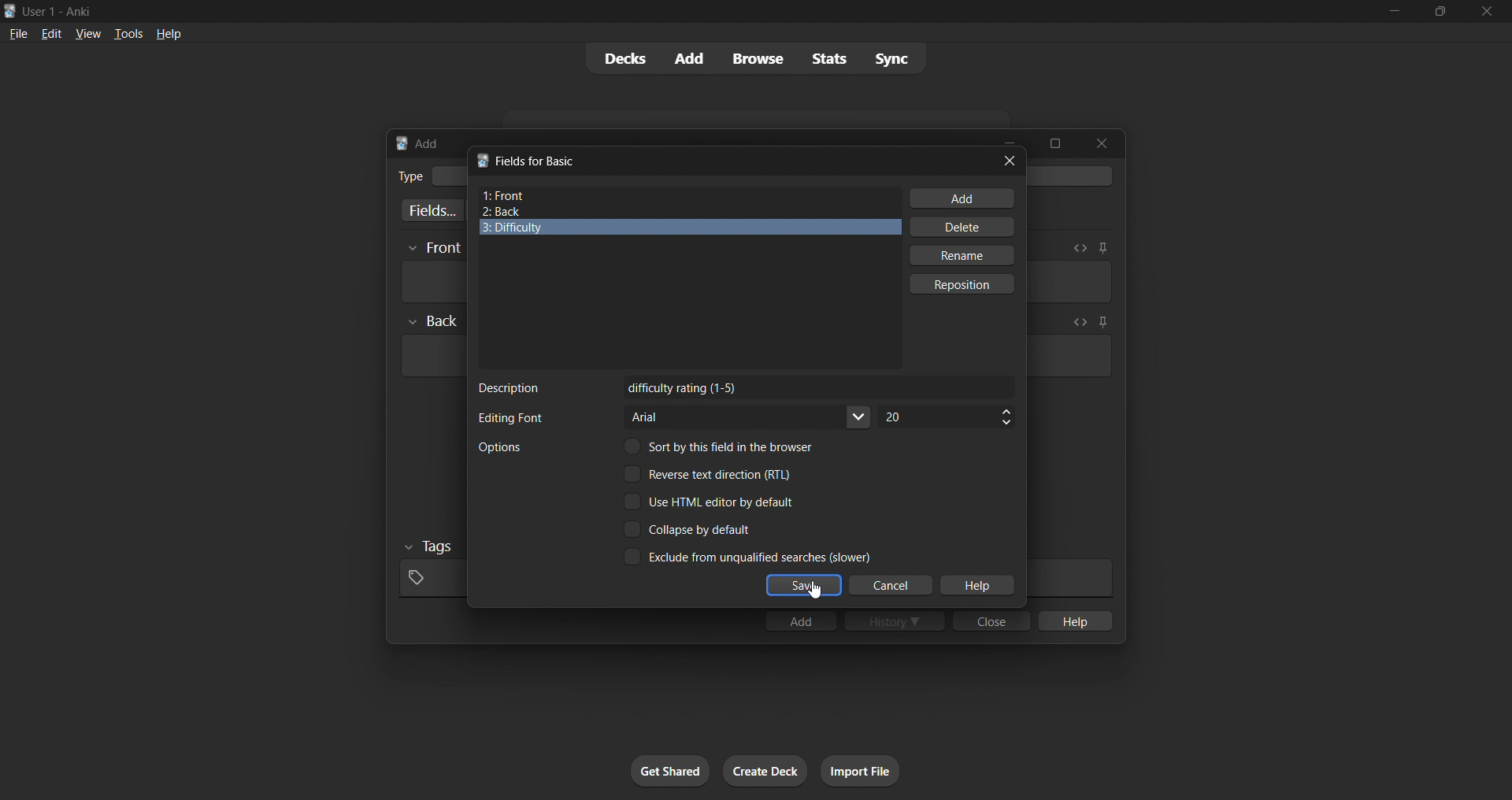 This screenshot has width=1512, height=800. What do you see at coordinates (538, 161) in the screenshot?
I see `customize fields title bar` at bounding box center [538, 161].